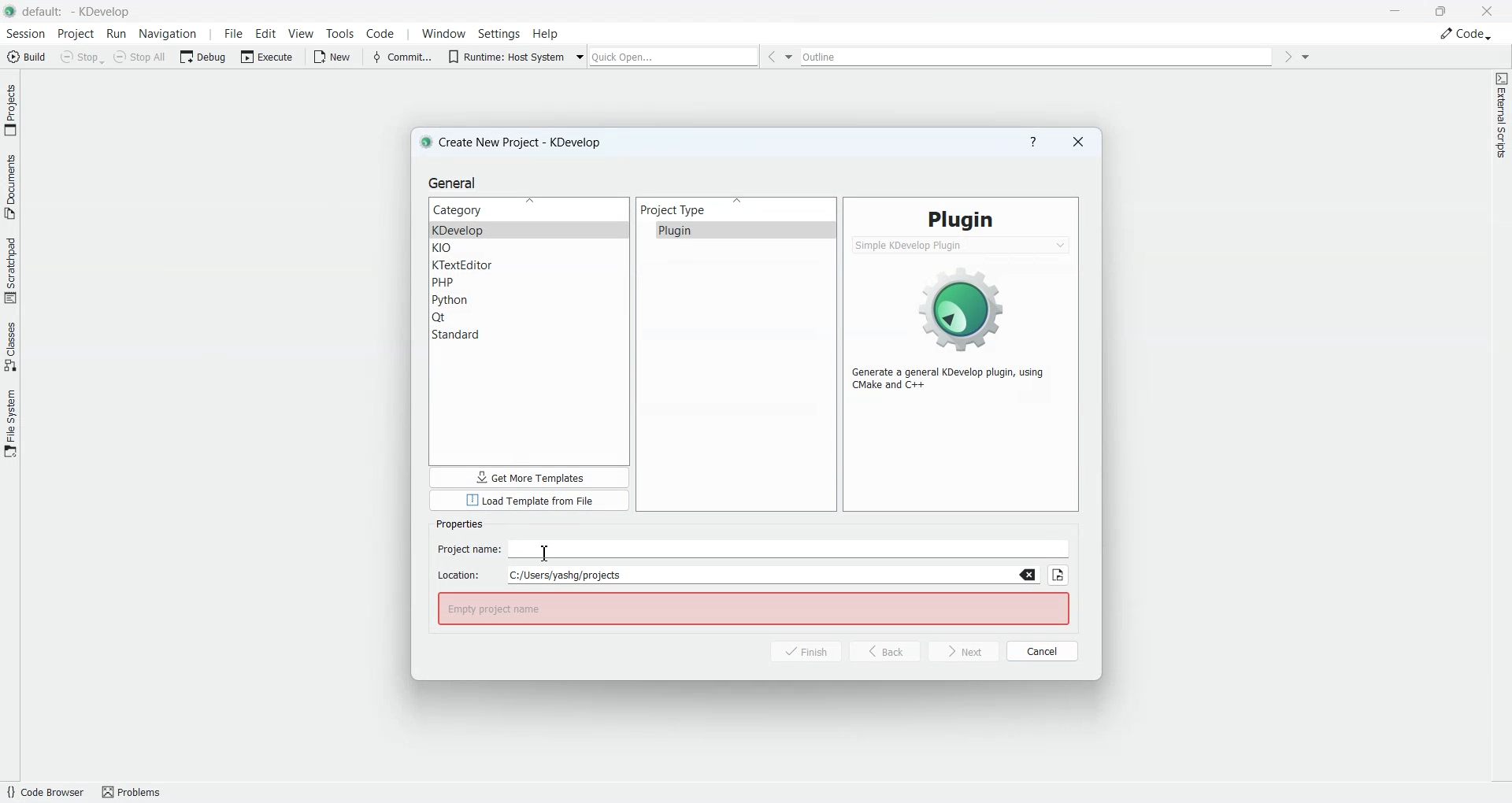 The width and height of the screenshot is (1512, 803). Describe the element at coordinates (205, 56) in the screenshot. I see `Debug` at that location.